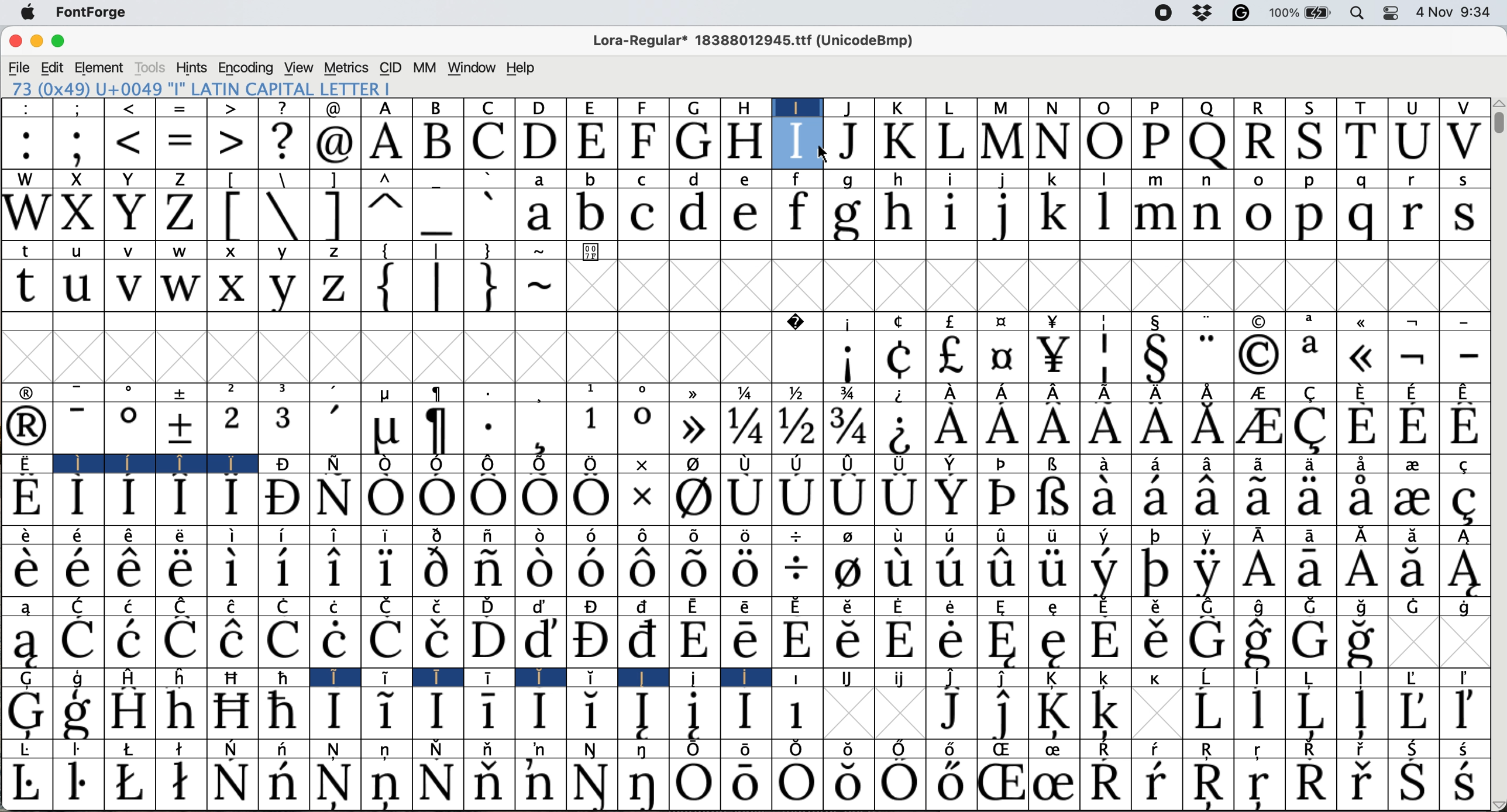 Image resolution: width=1507 pixels, height=812 pixels. I want to click on Symbol, so click(694, 785).